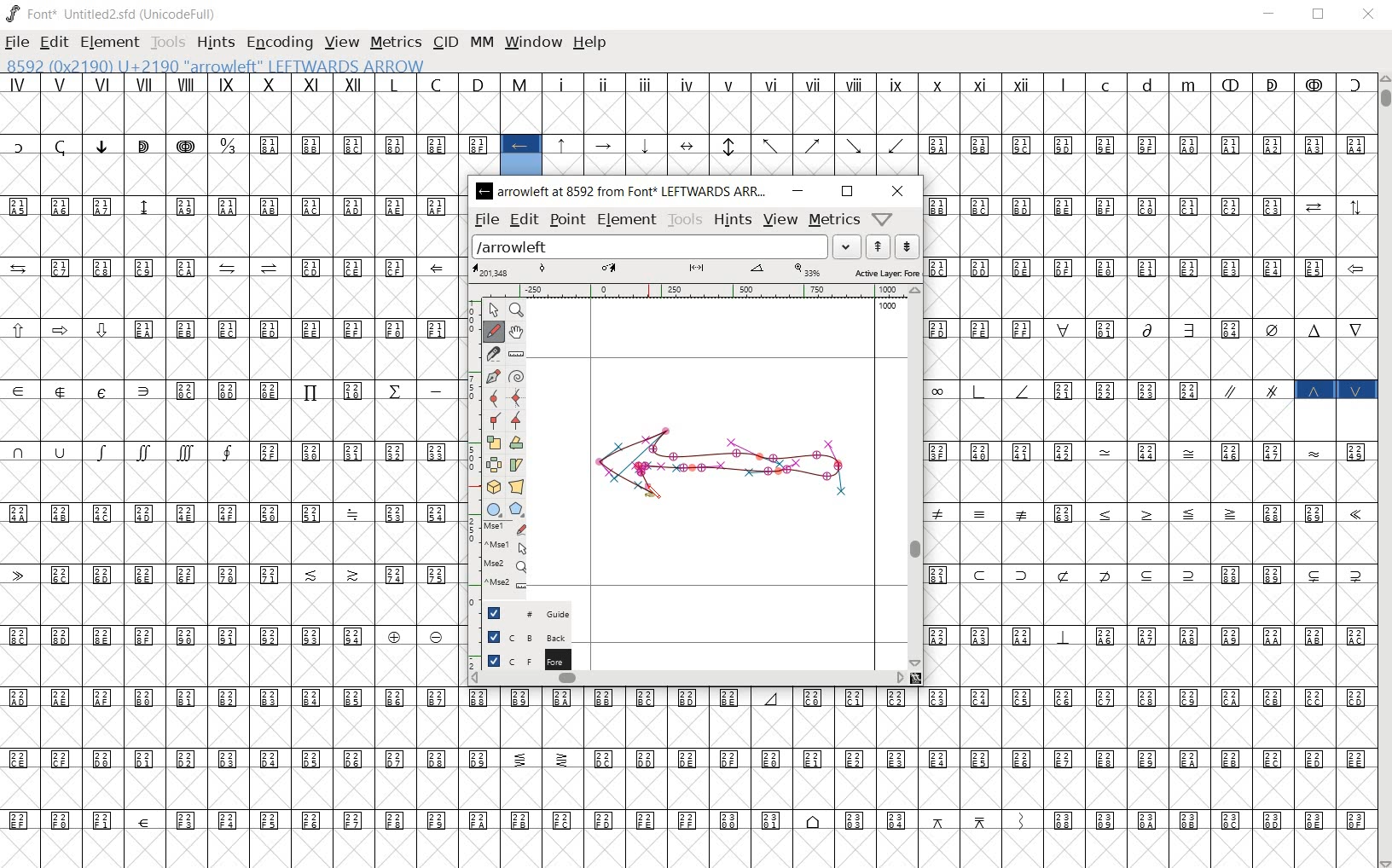 This screenshot has height=868, width=1392. I want to click on cursor events on the opened outline window, so click(500, 558).